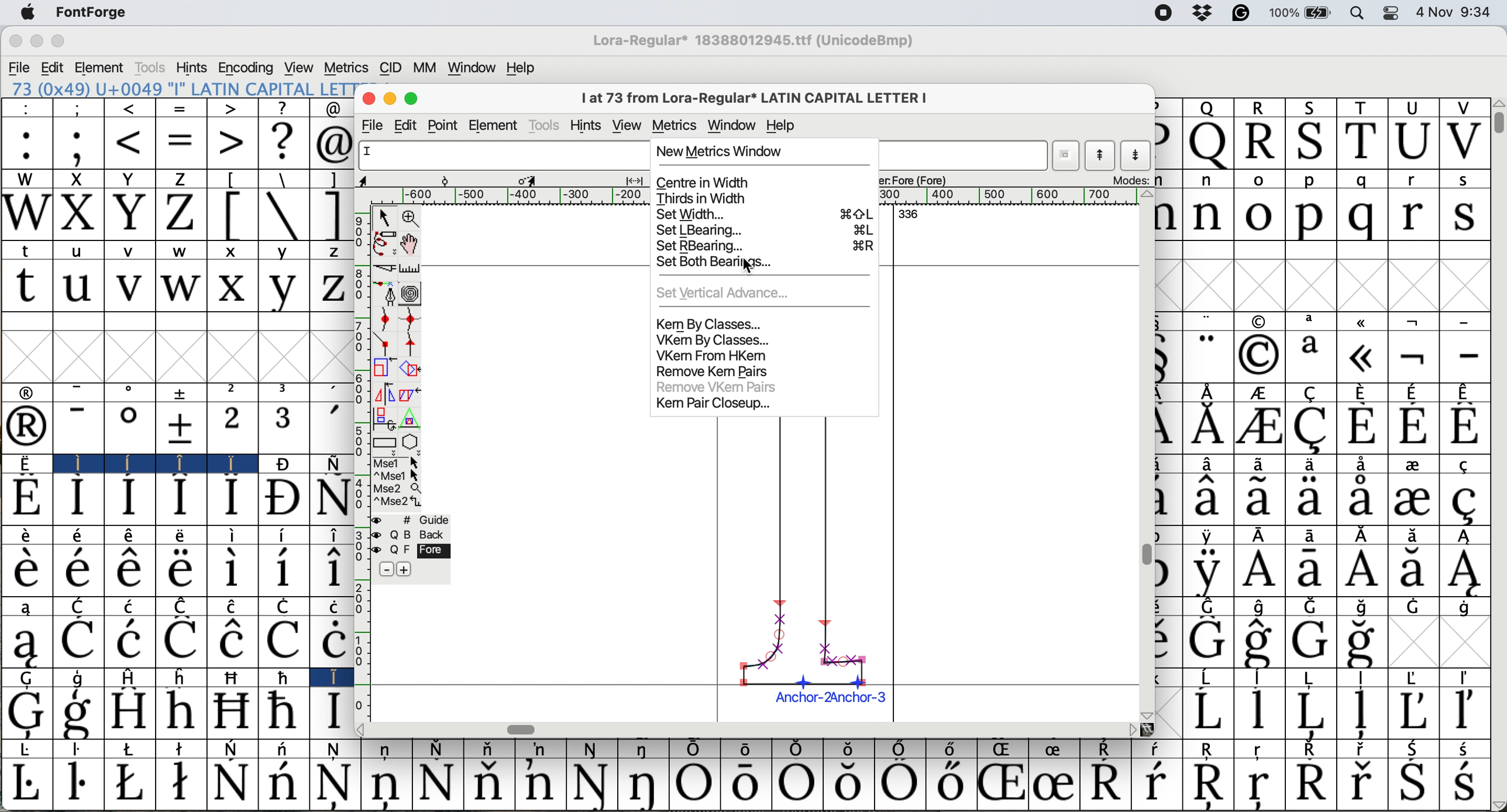  I want to click on v, so click(129, 287).